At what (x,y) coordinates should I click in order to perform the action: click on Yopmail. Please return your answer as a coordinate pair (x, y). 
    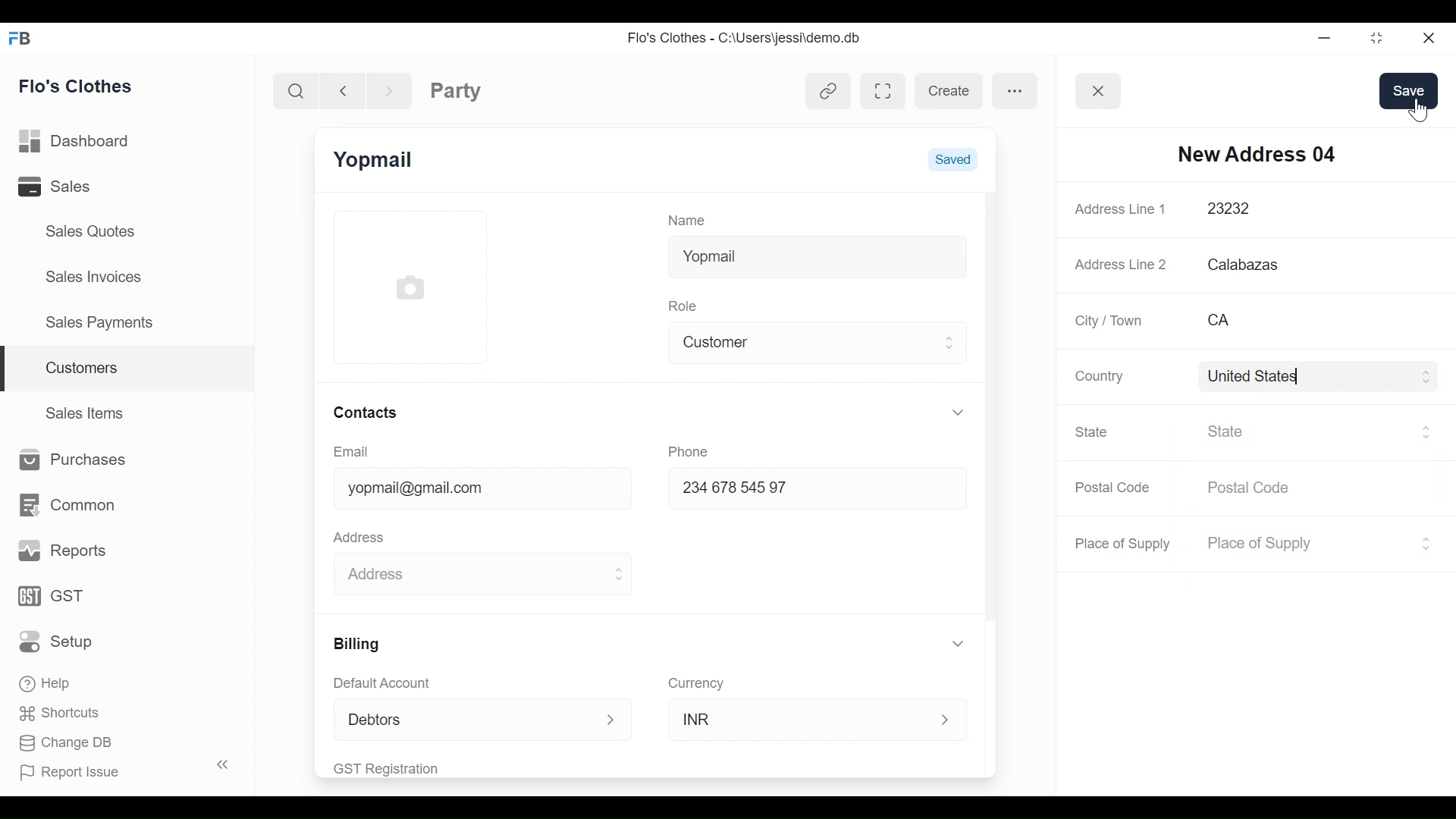
    Looking at the image, I should click on (375, 160).